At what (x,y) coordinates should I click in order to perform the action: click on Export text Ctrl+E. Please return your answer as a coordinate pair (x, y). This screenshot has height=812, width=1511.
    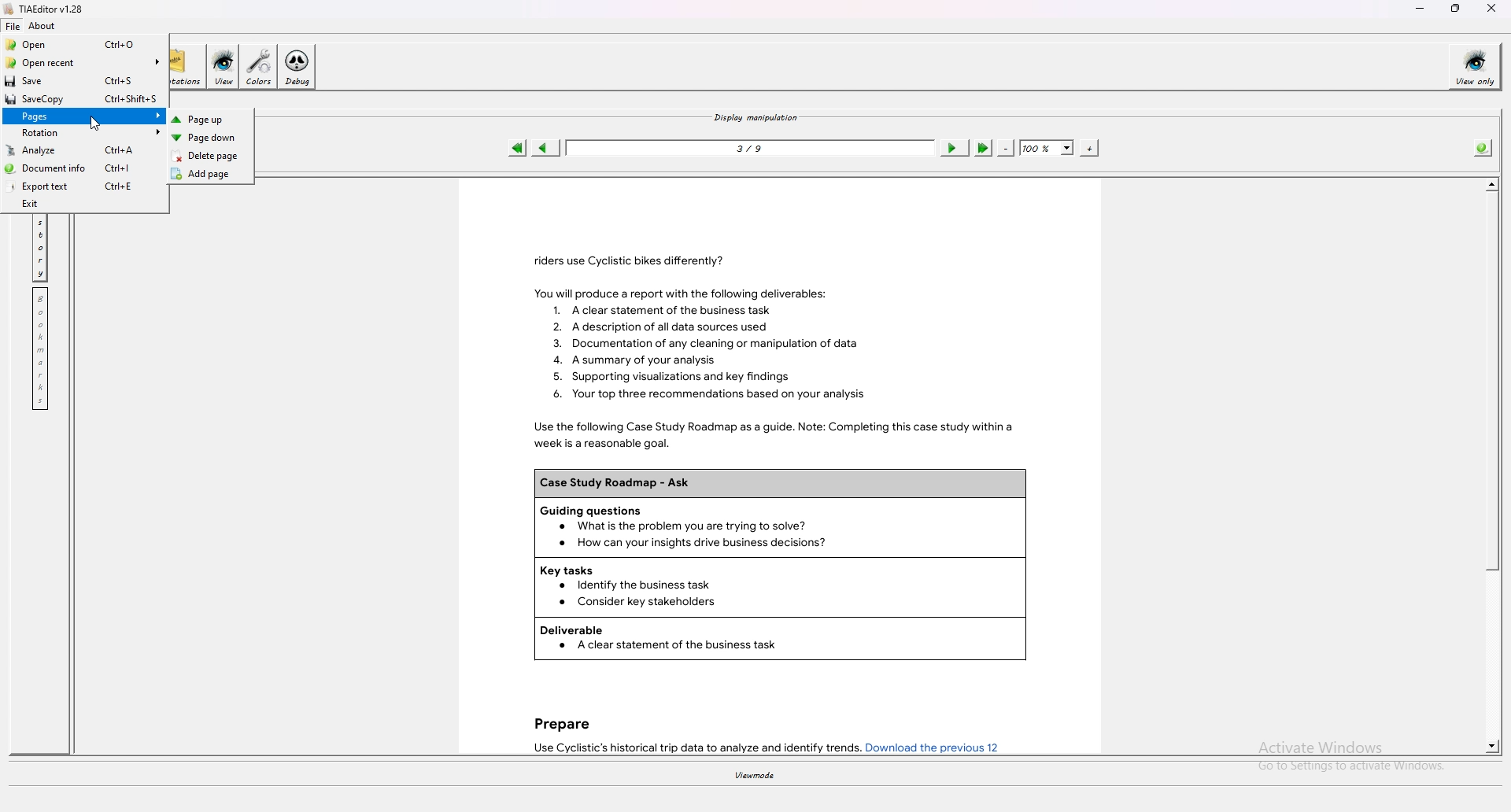
    Looking at the image, I should click on (74, 188).